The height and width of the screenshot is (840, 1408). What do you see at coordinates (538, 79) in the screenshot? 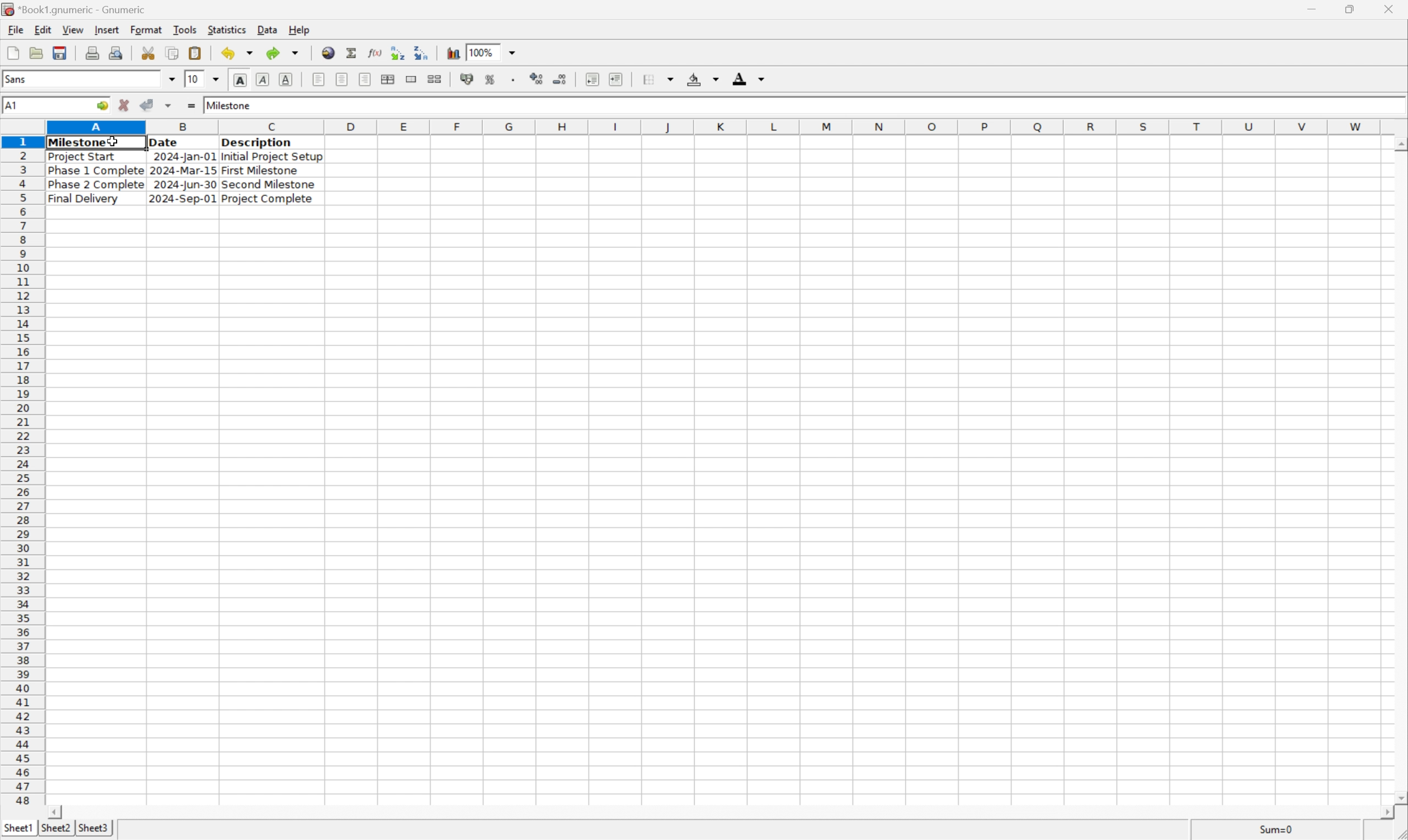
I see `increase number of decimals displayed` at bounding box center [538, 79].